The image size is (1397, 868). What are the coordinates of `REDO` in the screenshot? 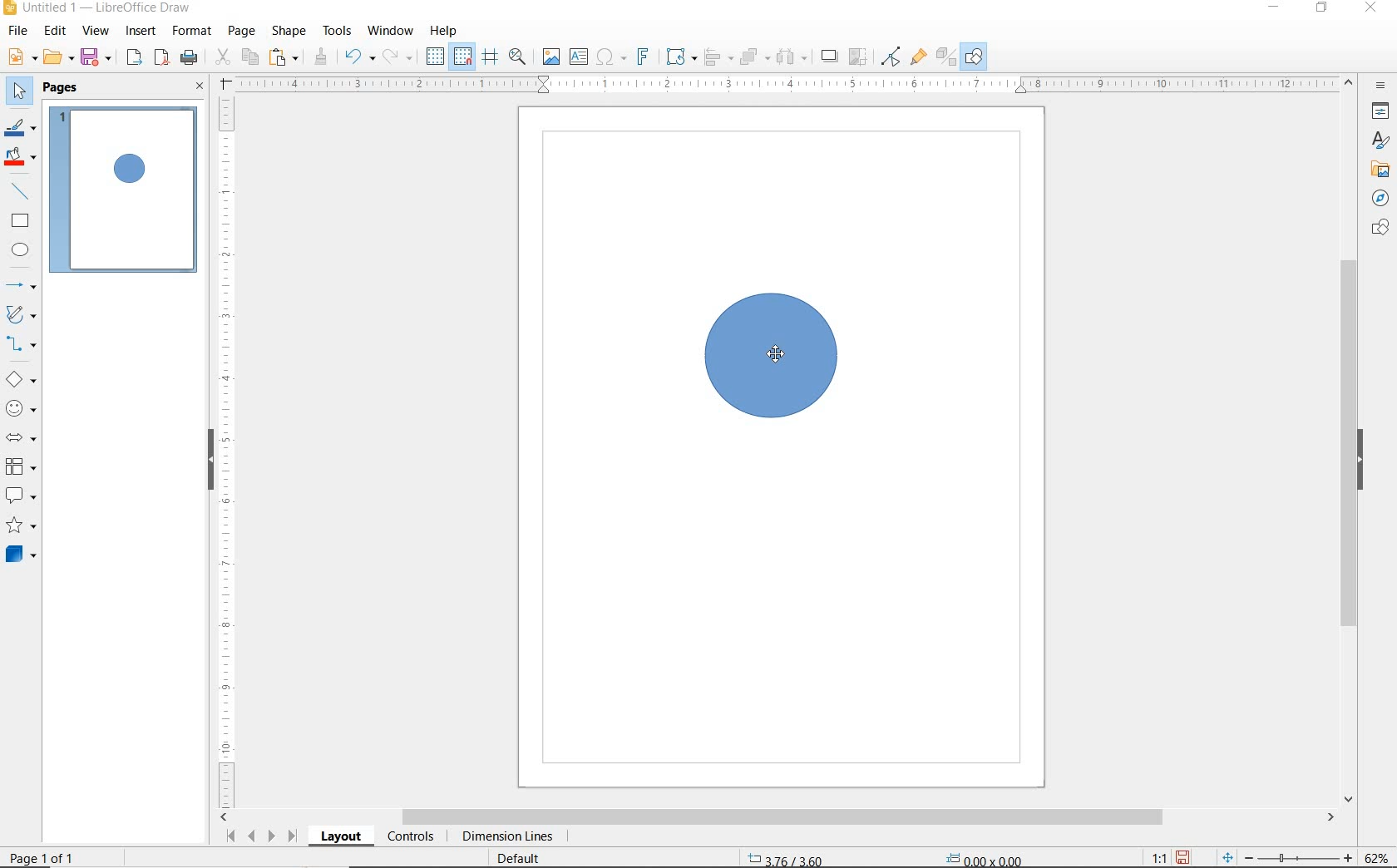 It's located at (398, 57).